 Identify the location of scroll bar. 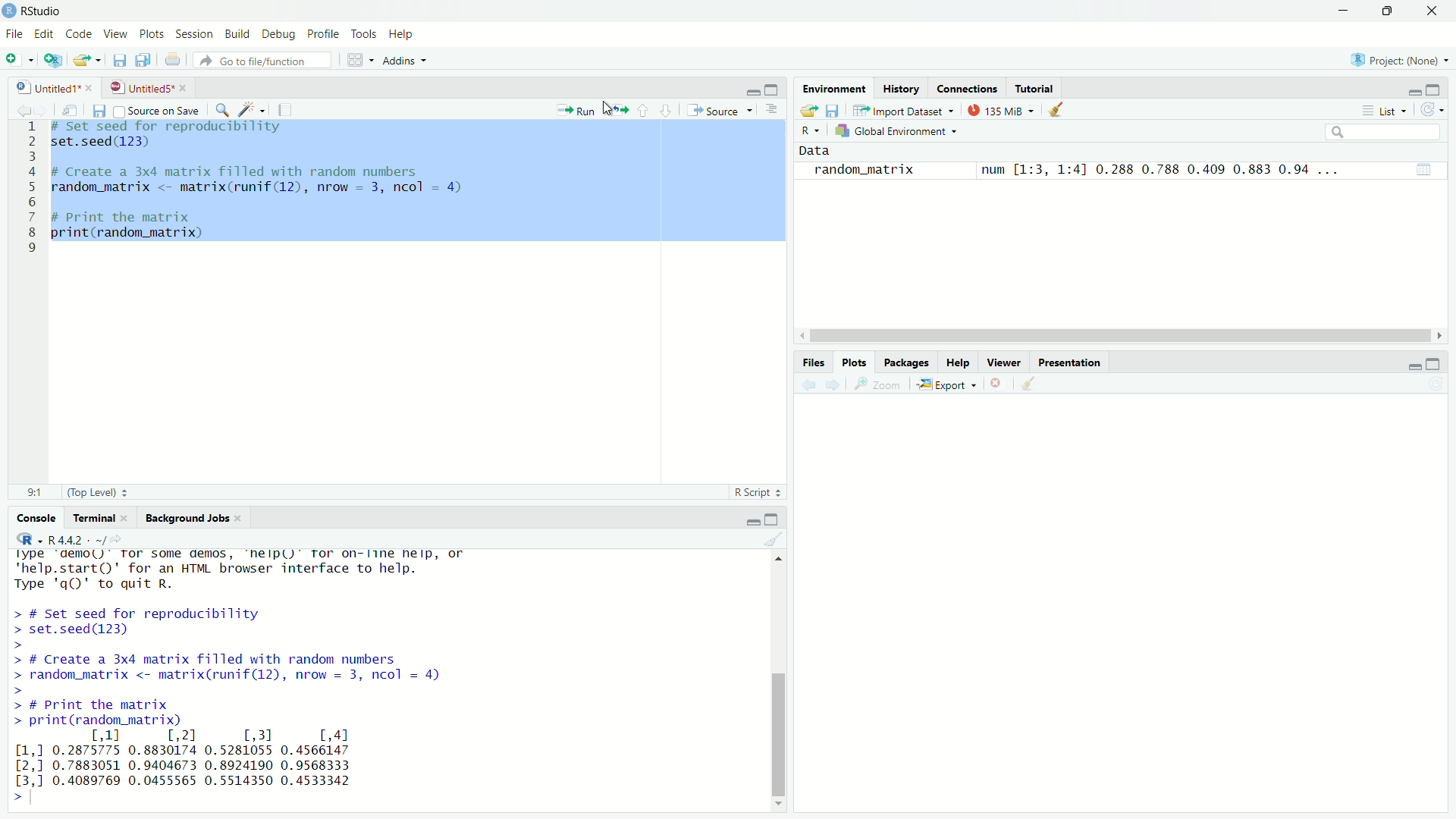
(777, 679).